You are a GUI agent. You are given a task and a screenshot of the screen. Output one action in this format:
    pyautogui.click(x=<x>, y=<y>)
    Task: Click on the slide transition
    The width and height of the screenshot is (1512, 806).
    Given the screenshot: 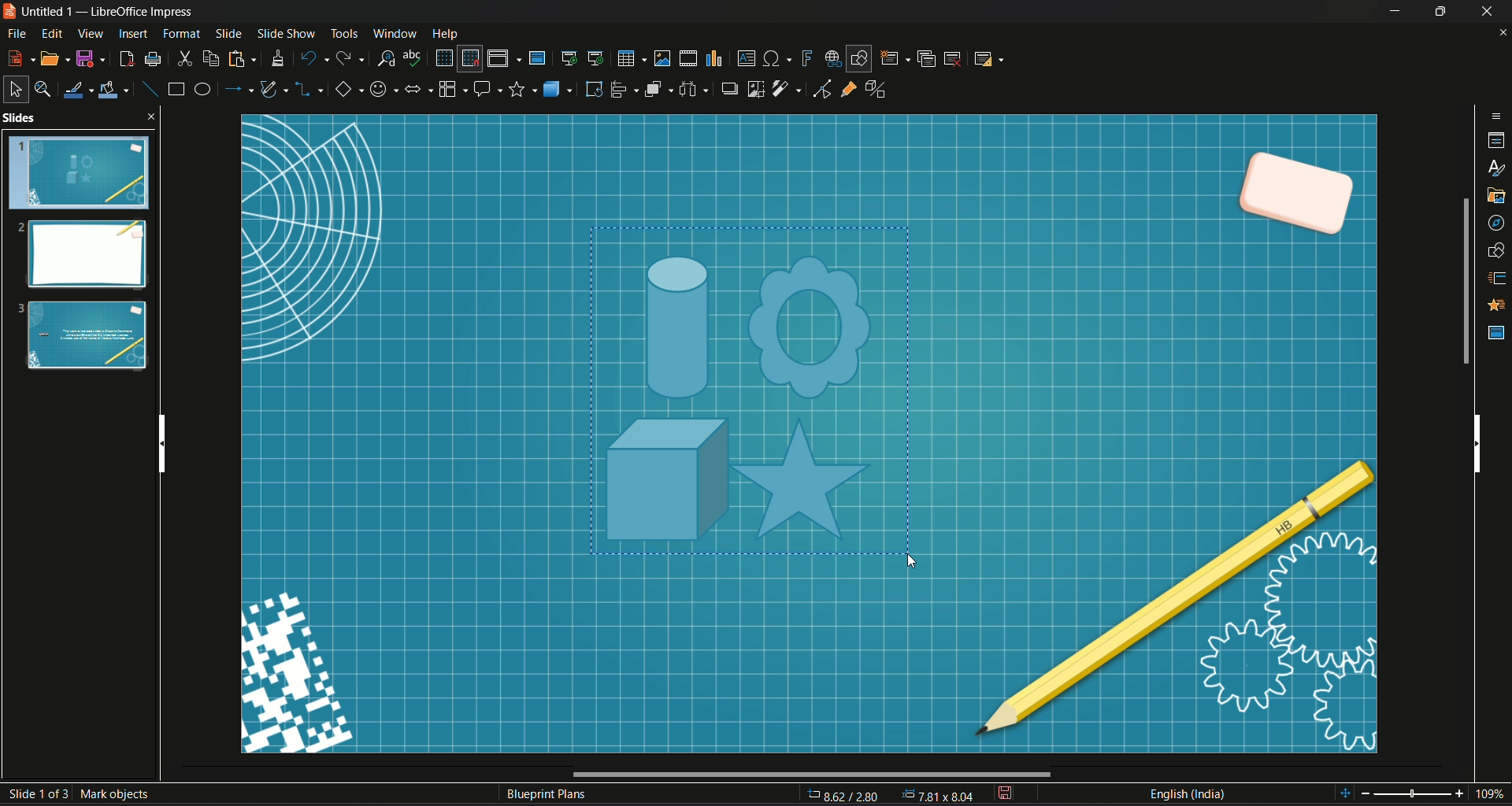 What is the action you would take?
    pyautogui.click(x=1498, y=279)
    